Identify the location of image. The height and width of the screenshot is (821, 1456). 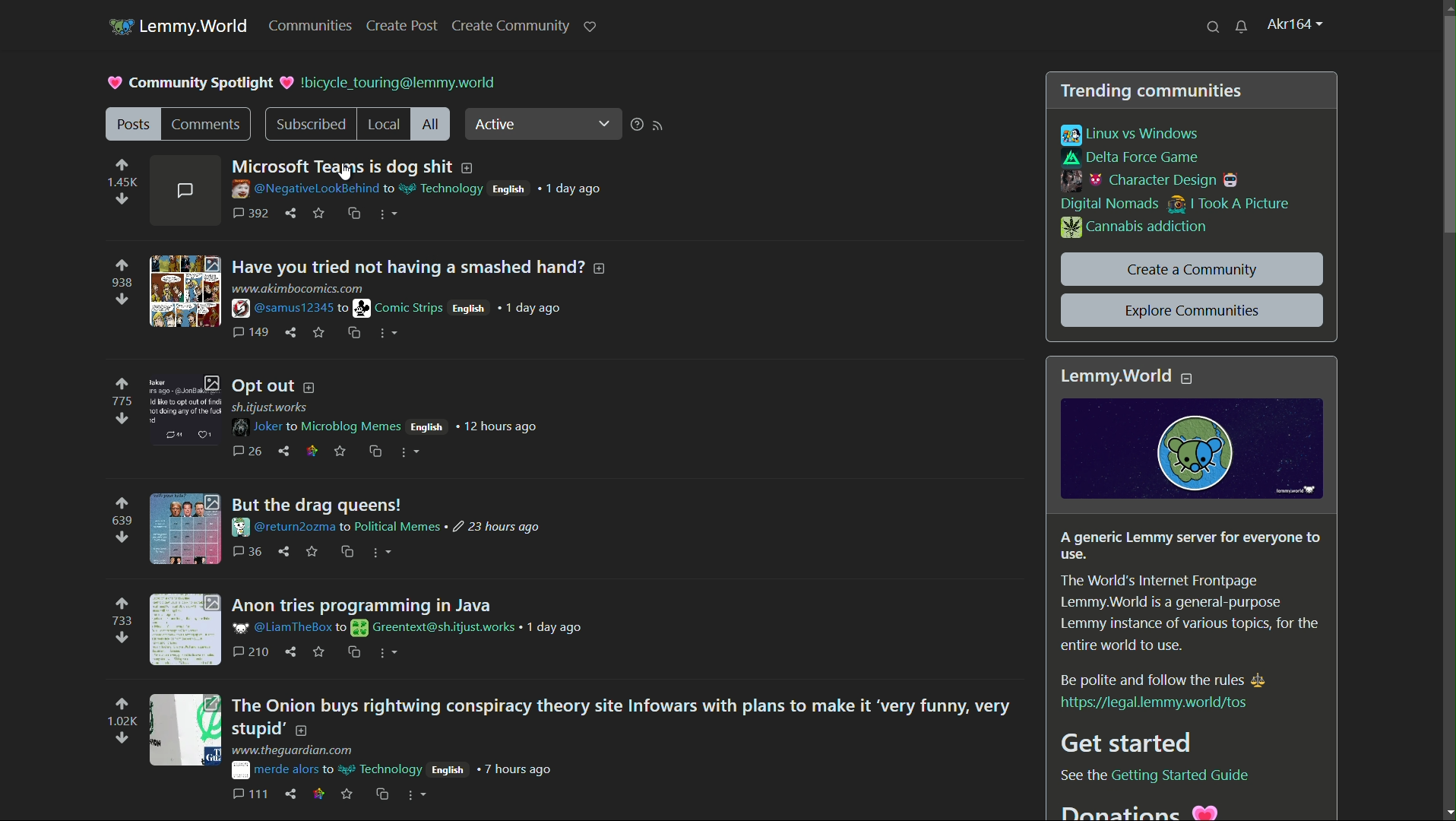
(187, 730).